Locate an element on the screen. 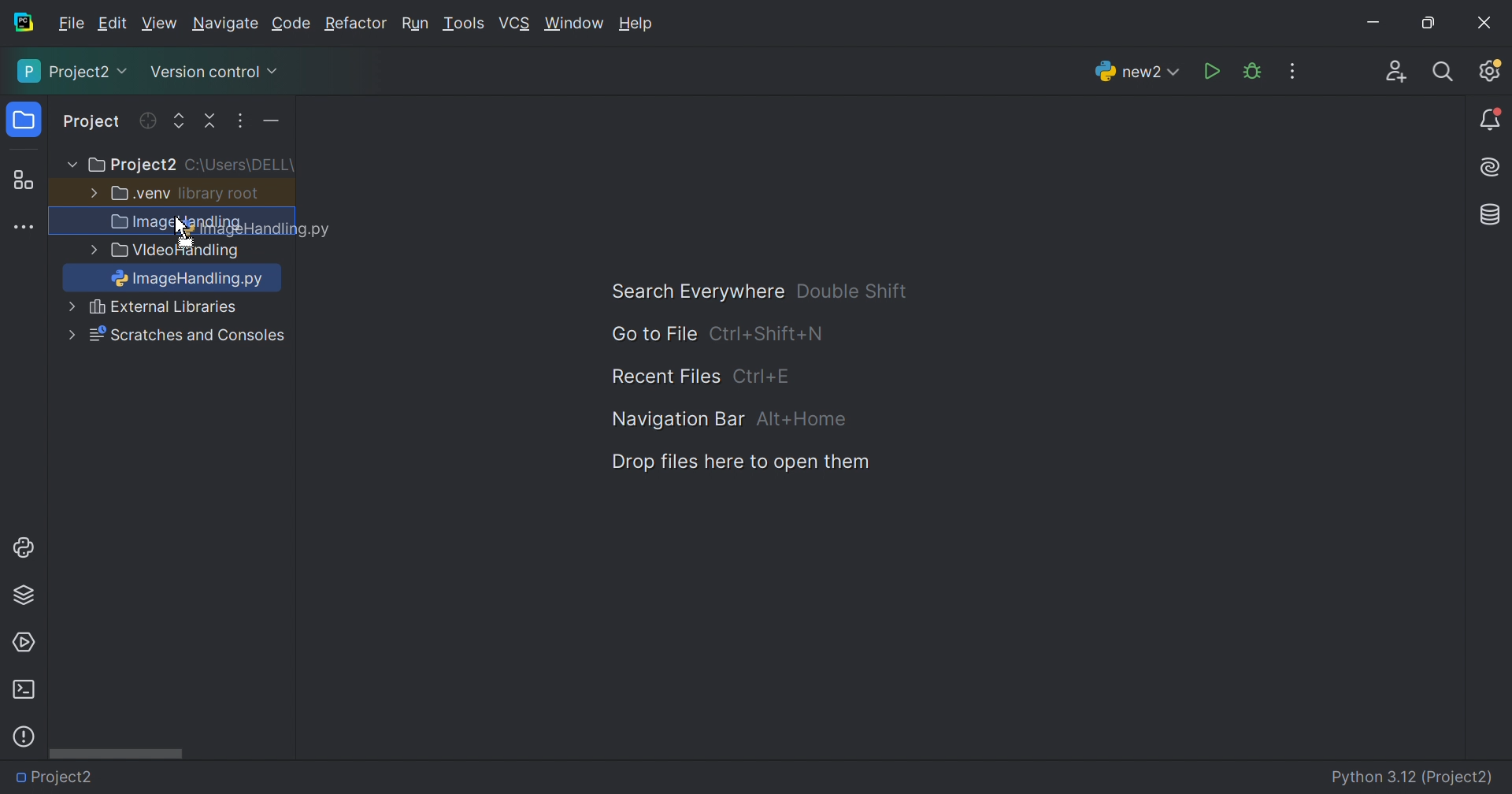 The image size is (1512, 794). More Actions is located at coordinates (1292, 71).